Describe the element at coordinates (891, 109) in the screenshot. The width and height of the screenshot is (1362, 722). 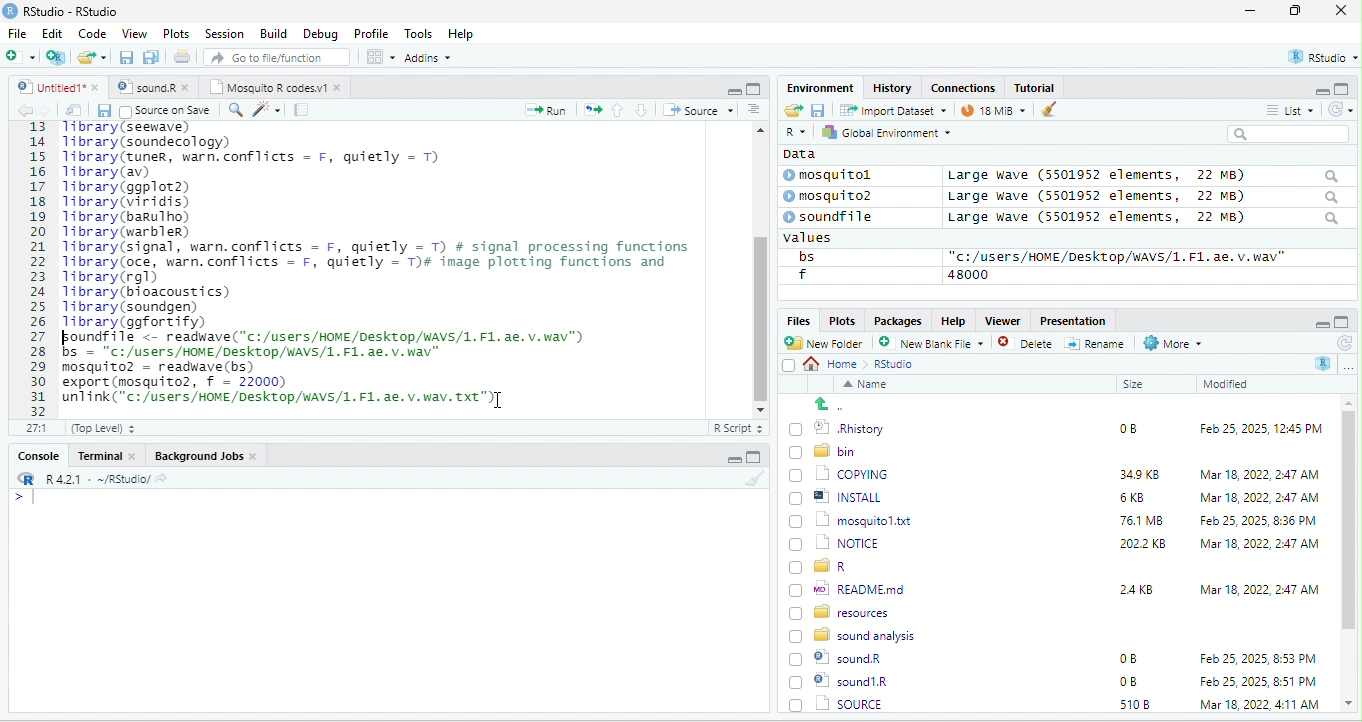
I see `# import Dataset` at that location.